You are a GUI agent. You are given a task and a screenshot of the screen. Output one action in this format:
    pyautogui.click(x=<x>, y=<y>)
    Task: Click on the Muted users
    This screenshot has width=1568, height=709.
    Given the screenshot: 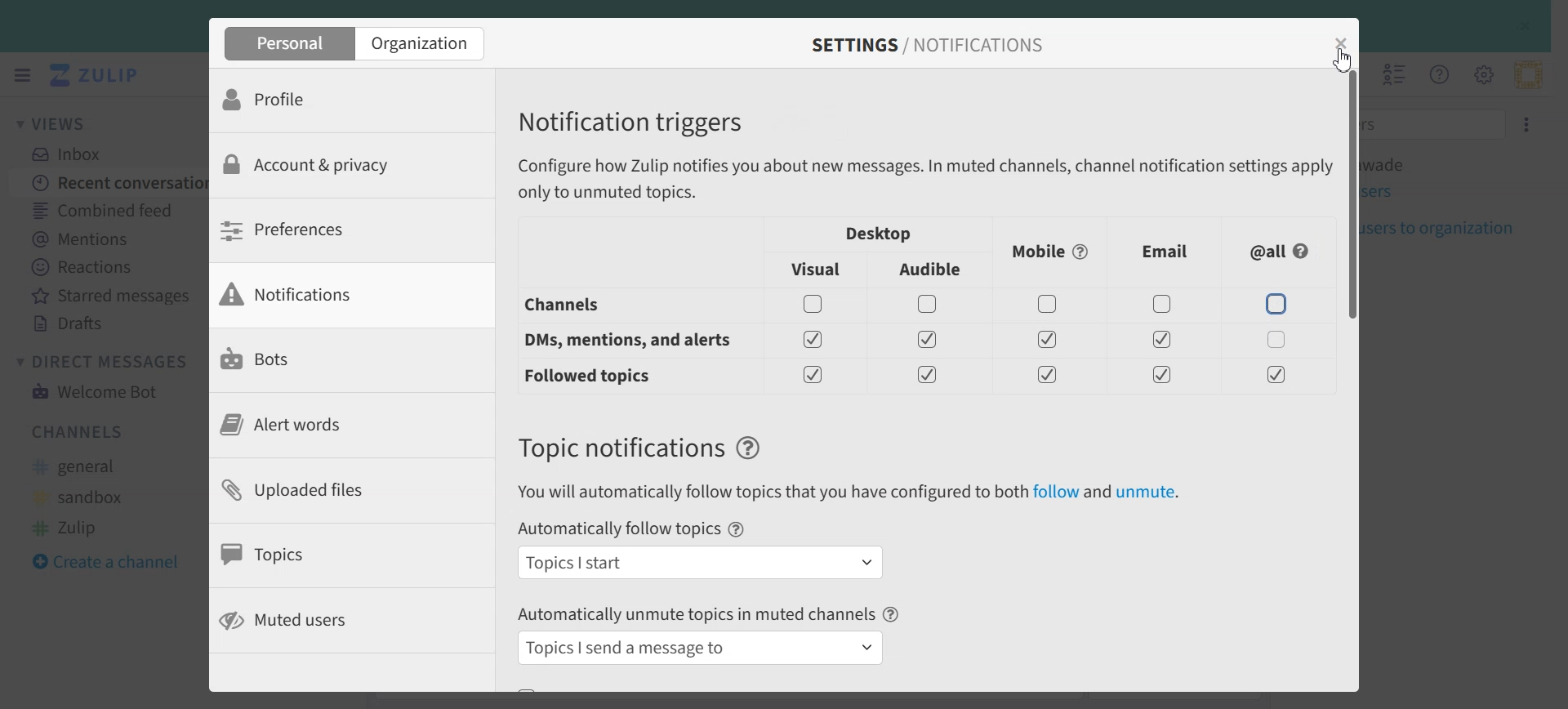 What is the action you would take?
    pyautogui.click(x=325, y=621)
    